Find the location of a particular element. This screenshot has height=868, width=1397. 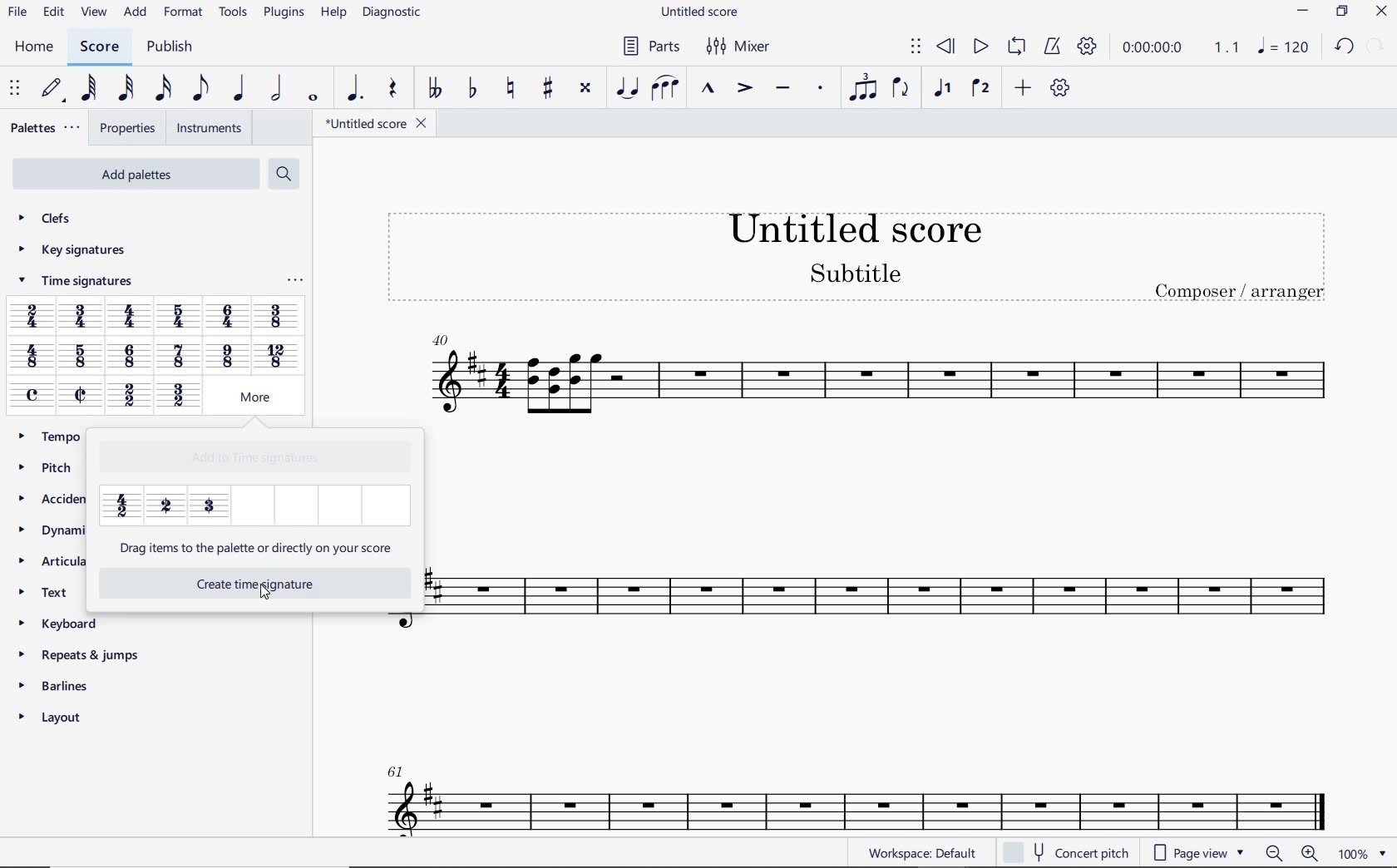

SEARCH PALETTES is located at coordinates (282, 173).